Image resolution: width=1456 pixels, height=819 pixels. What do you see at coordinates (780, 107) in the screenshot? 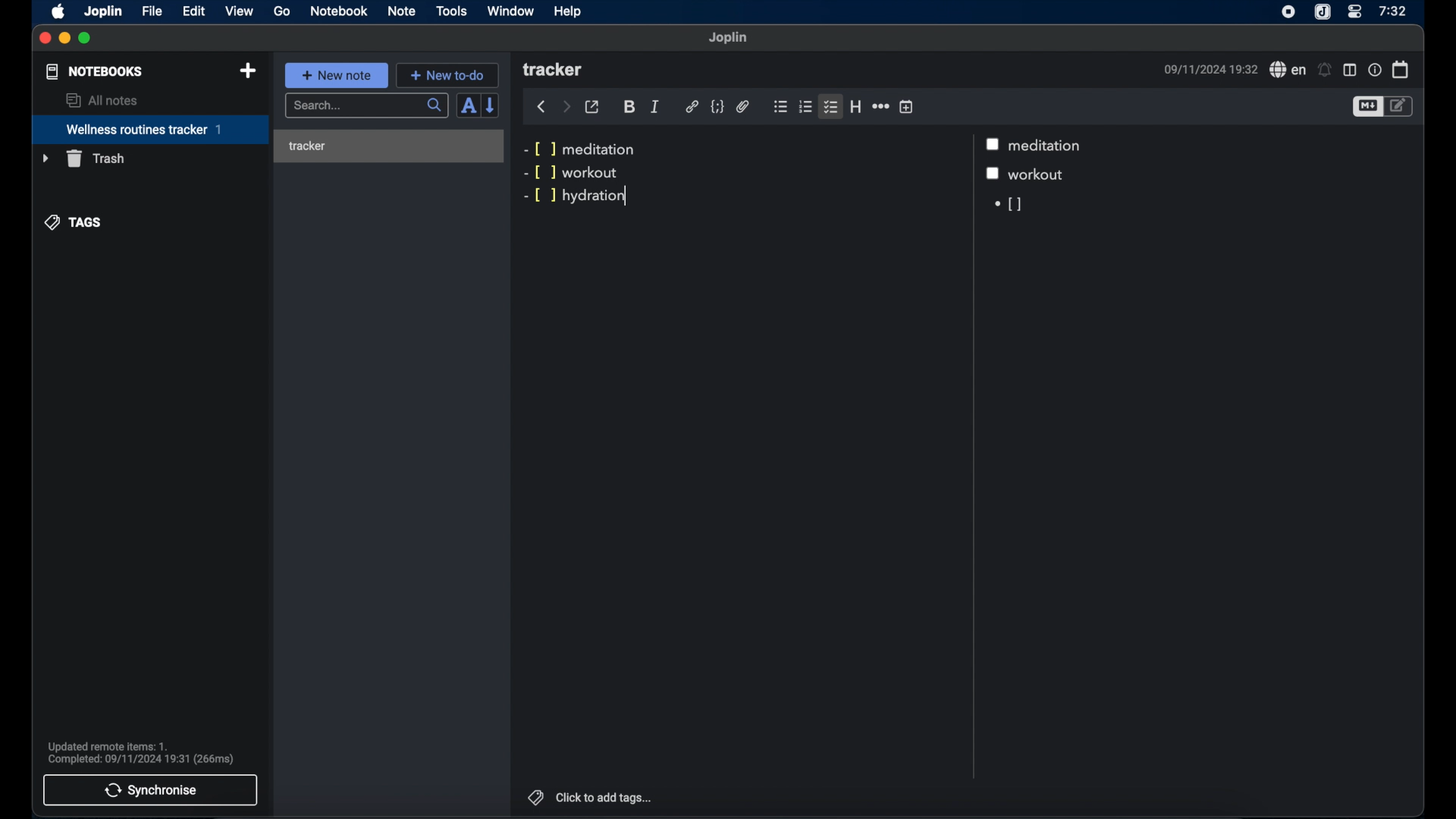
I see `bulleted list` at bounding box center [780, 107].